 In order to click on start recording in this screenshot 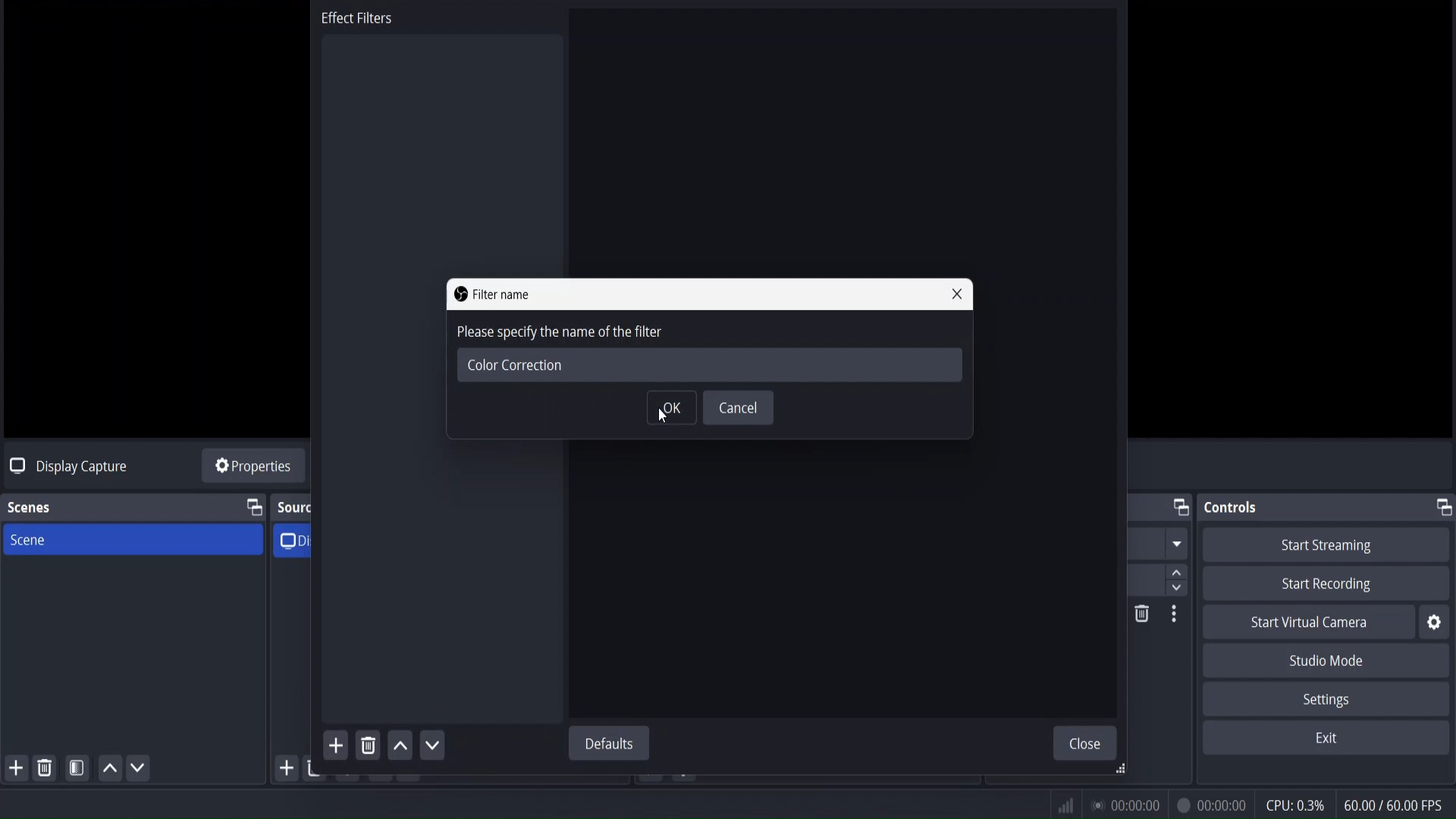, I will do `click(1330, 585)`.